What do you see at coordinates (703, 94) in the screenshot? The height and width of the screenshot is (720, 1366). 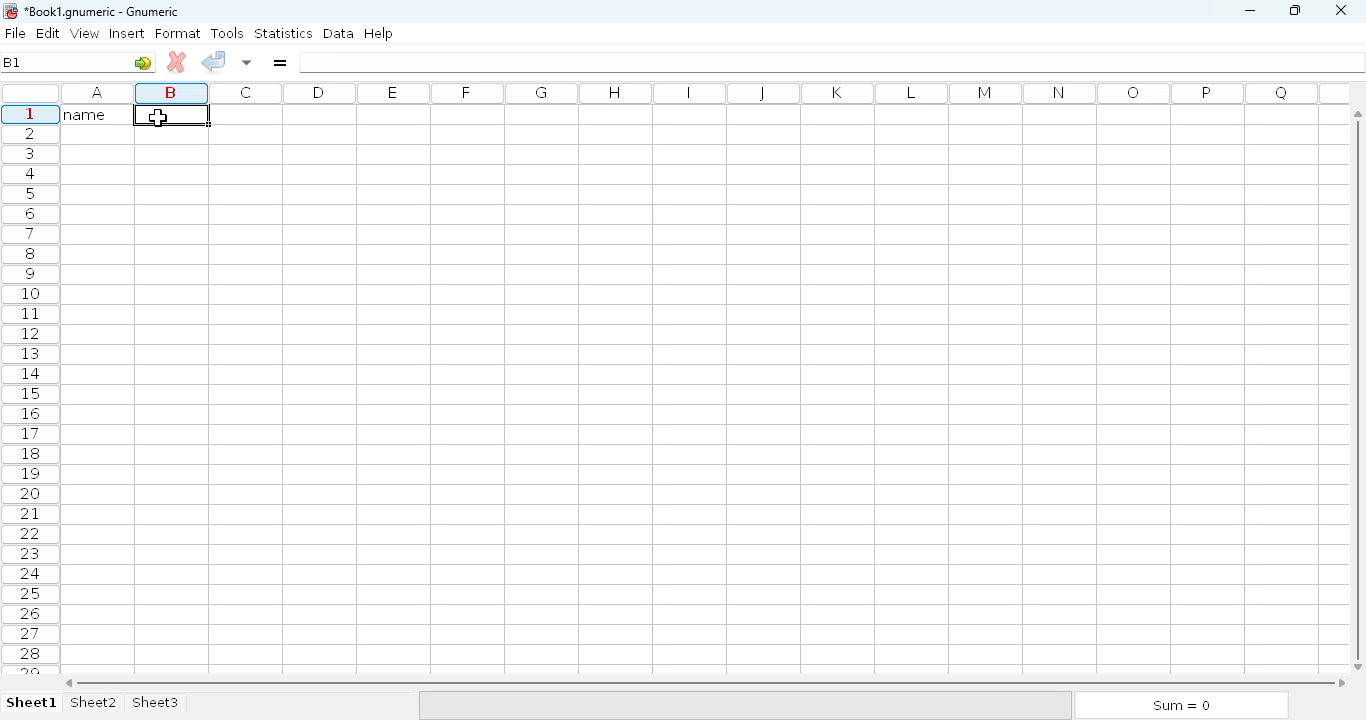 I see `column` at bounding box center [703, 94].